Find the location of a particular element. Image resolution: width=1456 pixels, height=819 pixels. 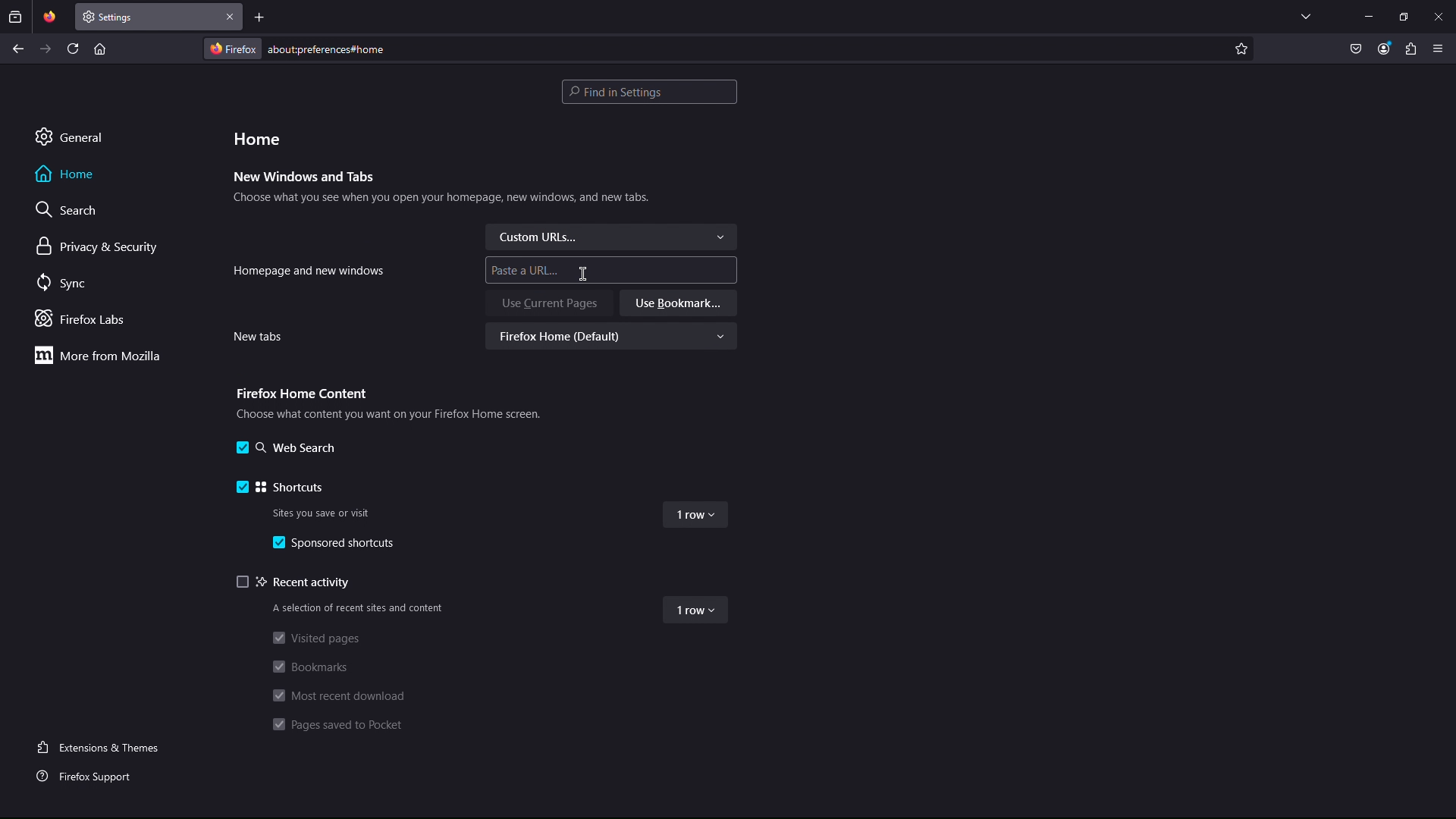

1 row is located at coordinates (698, 518).